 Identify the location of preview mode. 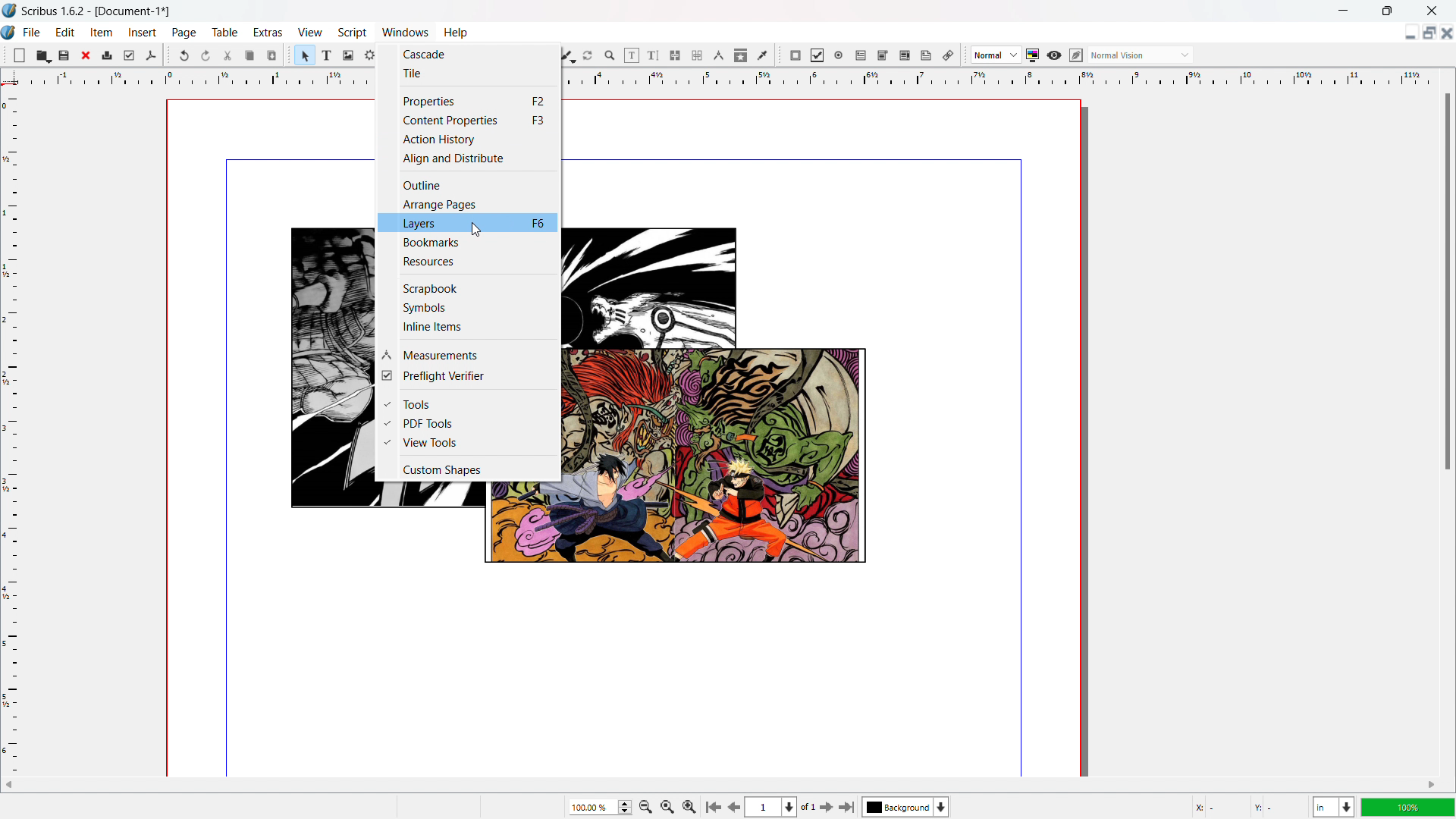
(1054, 55).